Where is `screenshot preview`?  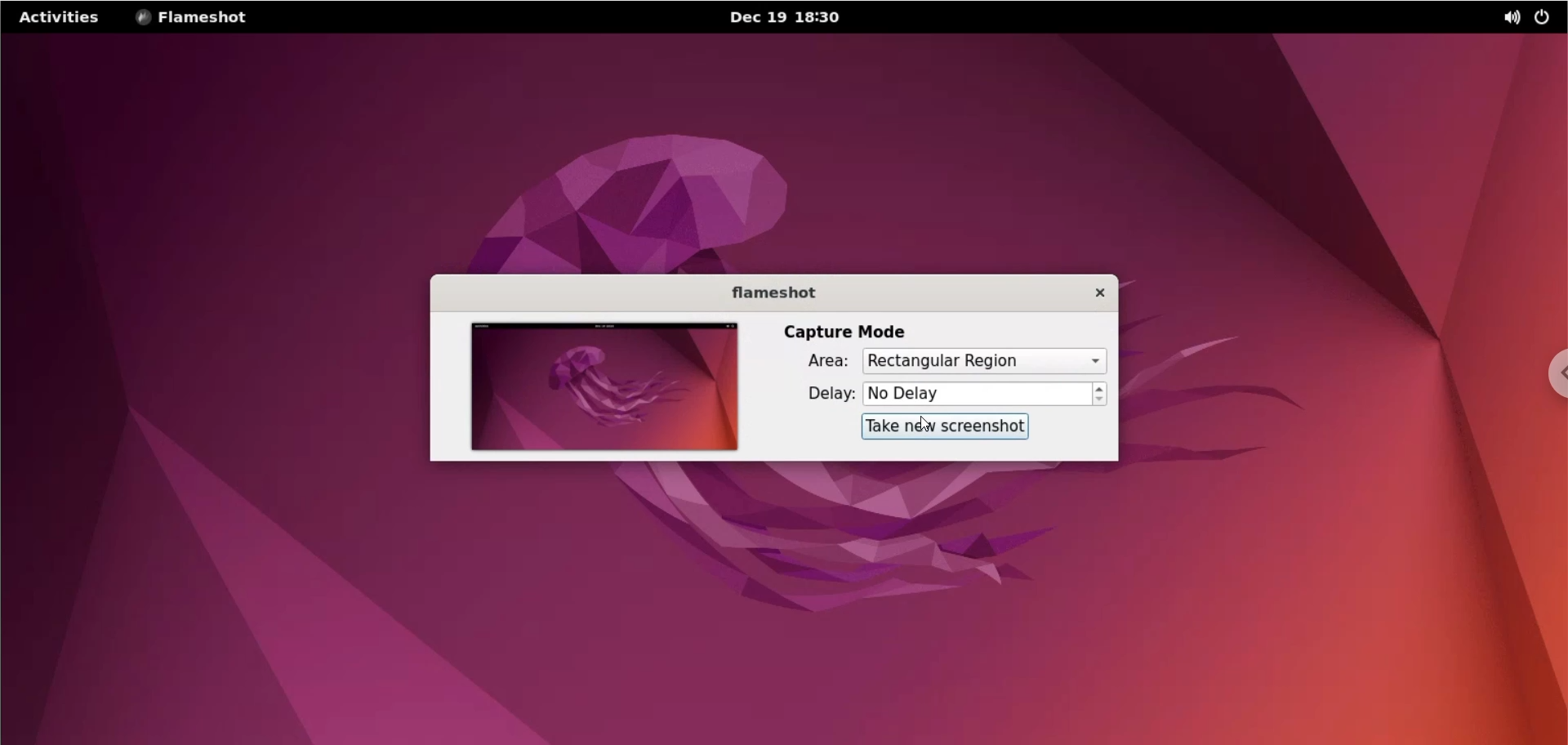 screenshot preview is located at coordinates (599, 386).